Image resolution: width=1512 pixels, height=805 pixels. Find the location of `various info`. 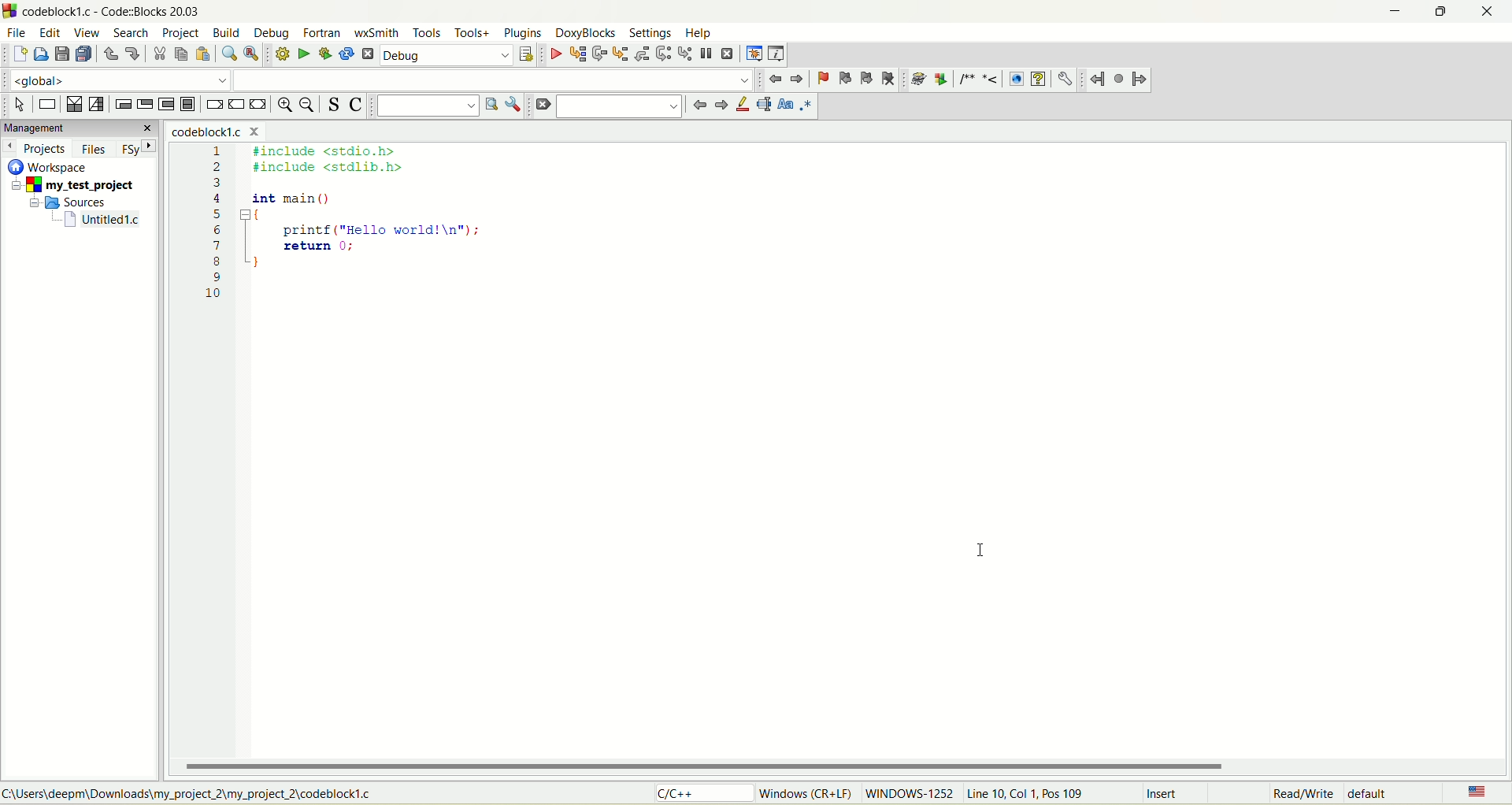

various info is located at coordinates (775, 52).